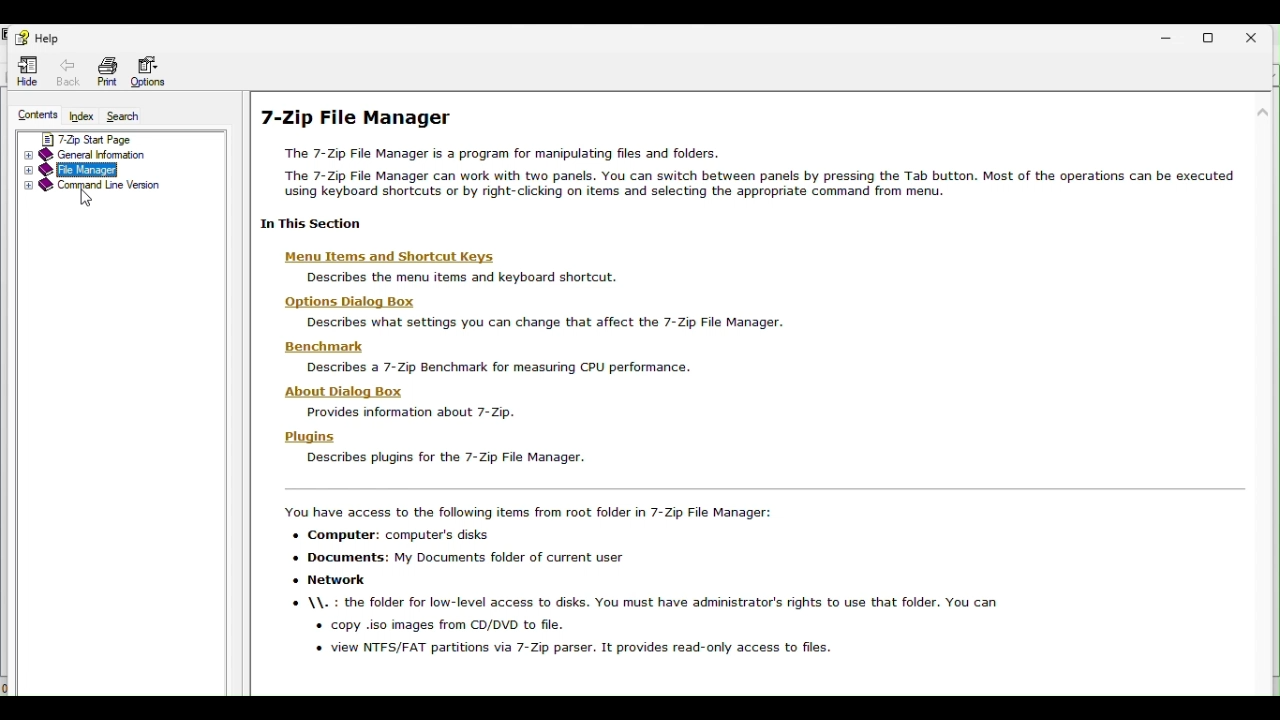 Image resolution: width=1280 pixels, height=720 pixels. What do you see at coordinates (66, 68) in the screenshot?
I see `Back` at bounding box center [66, 68].